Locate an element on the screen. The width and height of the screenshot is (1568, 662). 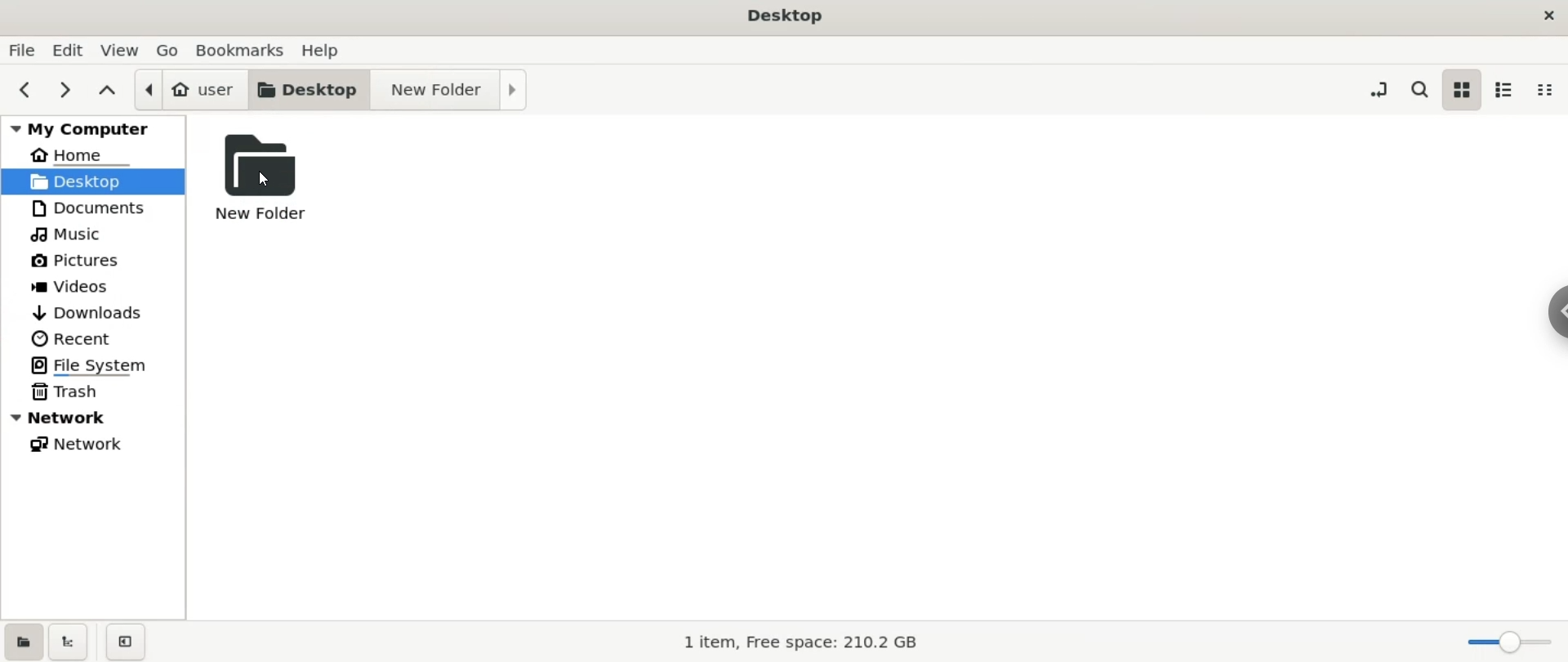
zoom is located at coordinates (1503, 638).